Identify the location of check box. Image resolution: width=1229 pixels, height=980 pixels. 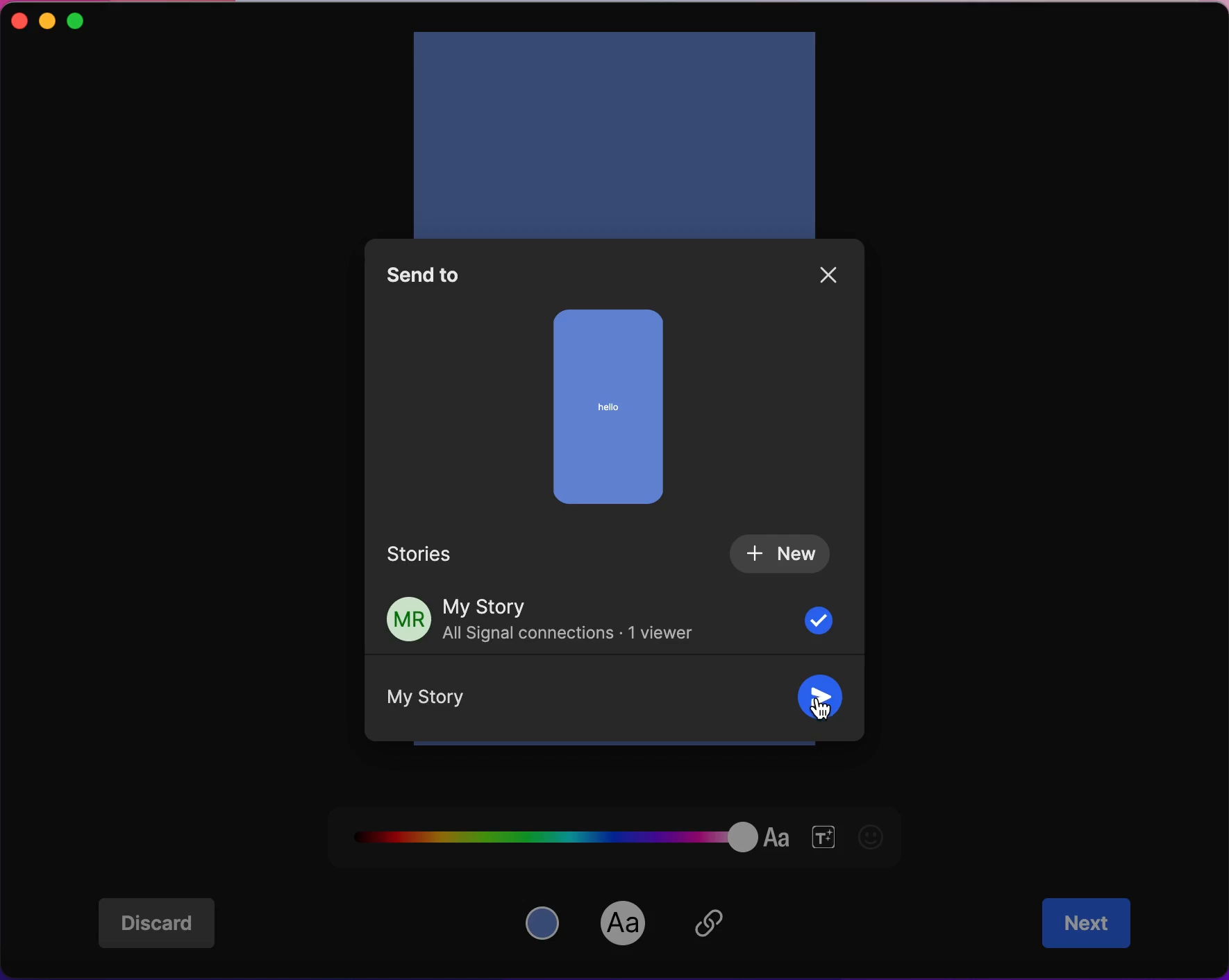
(822, 624).